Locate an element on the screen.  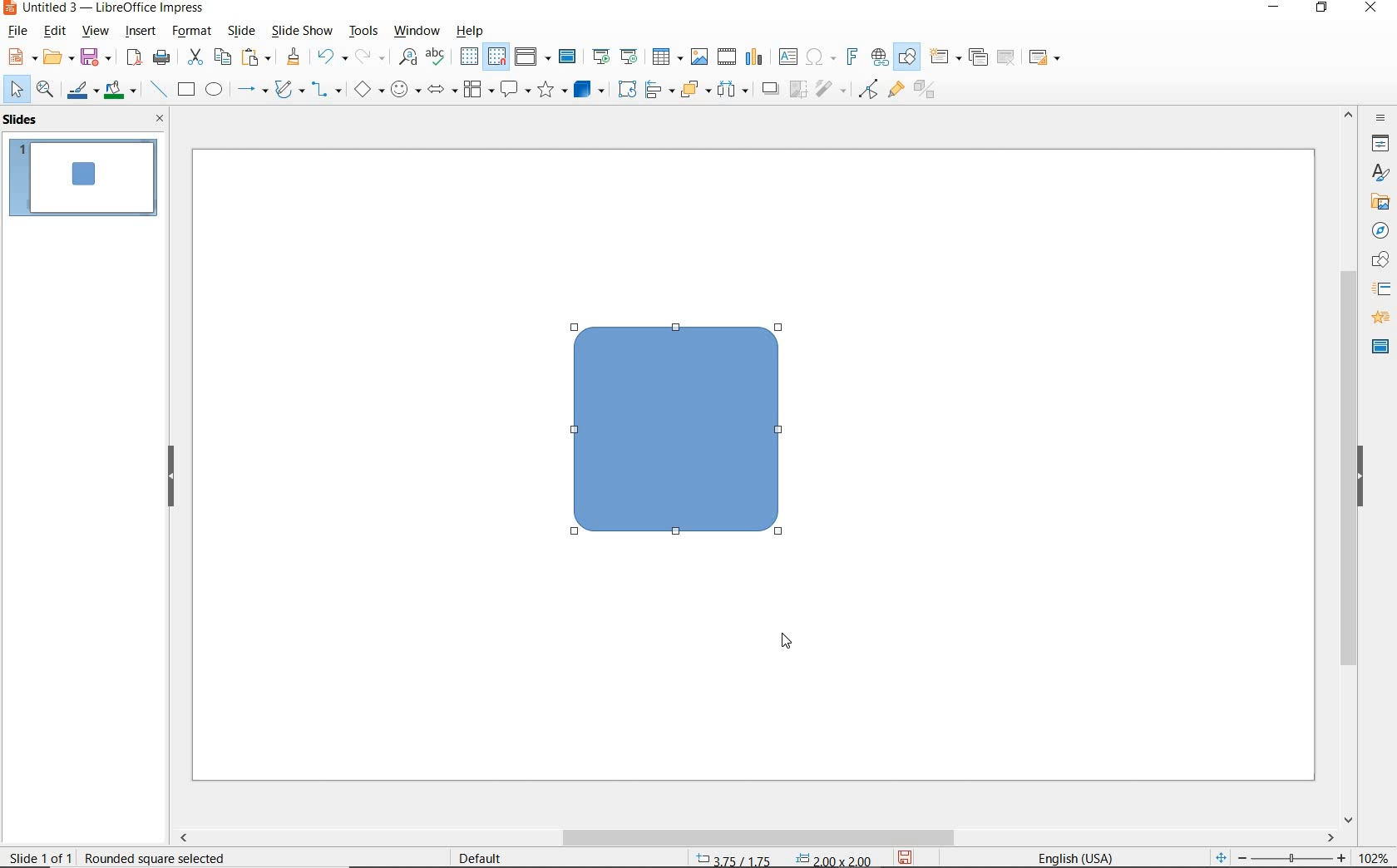
slides is located at coordinates (23, 121).